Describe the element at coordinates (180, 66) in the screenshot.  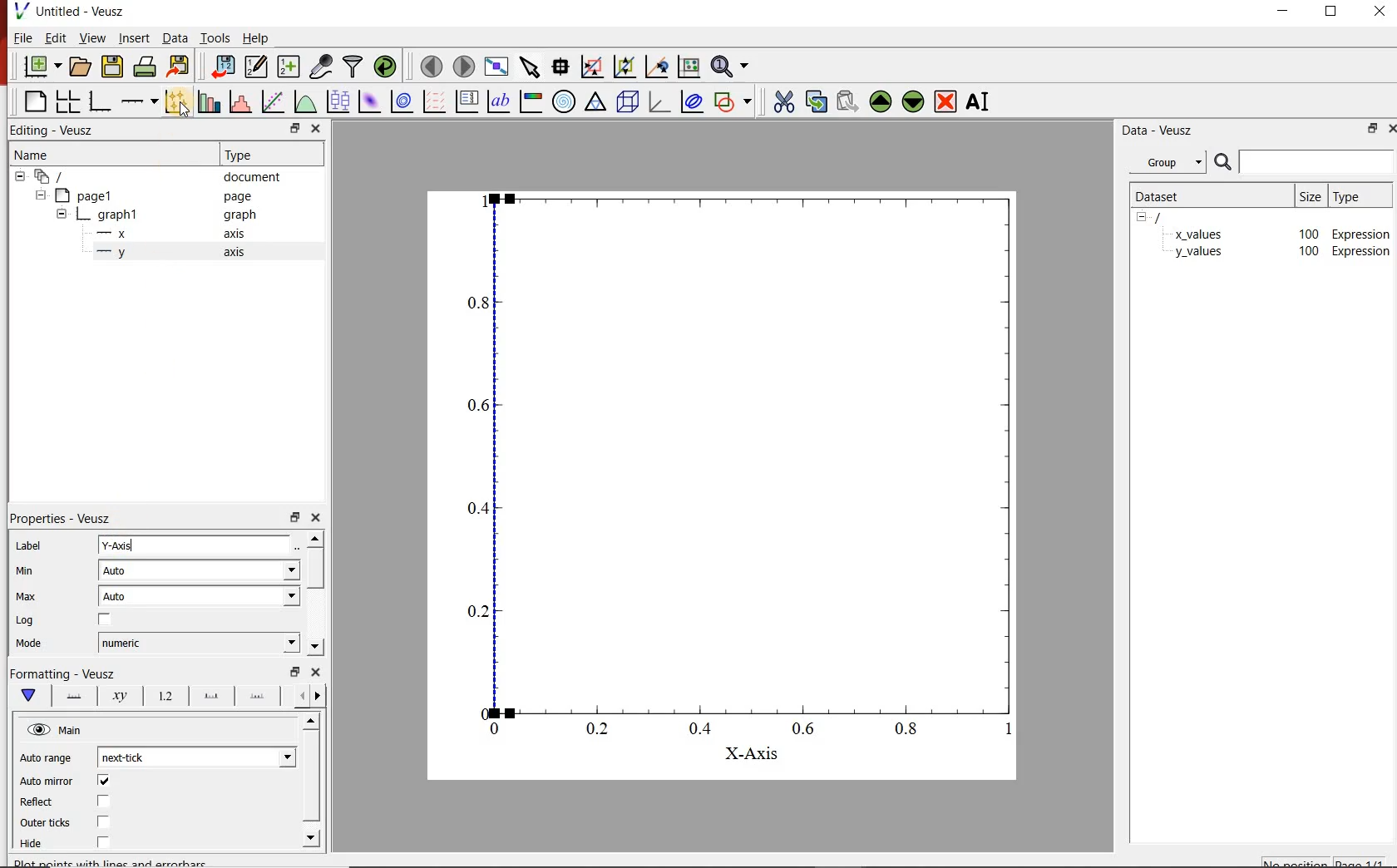
I see `export to graphics format` at that location.